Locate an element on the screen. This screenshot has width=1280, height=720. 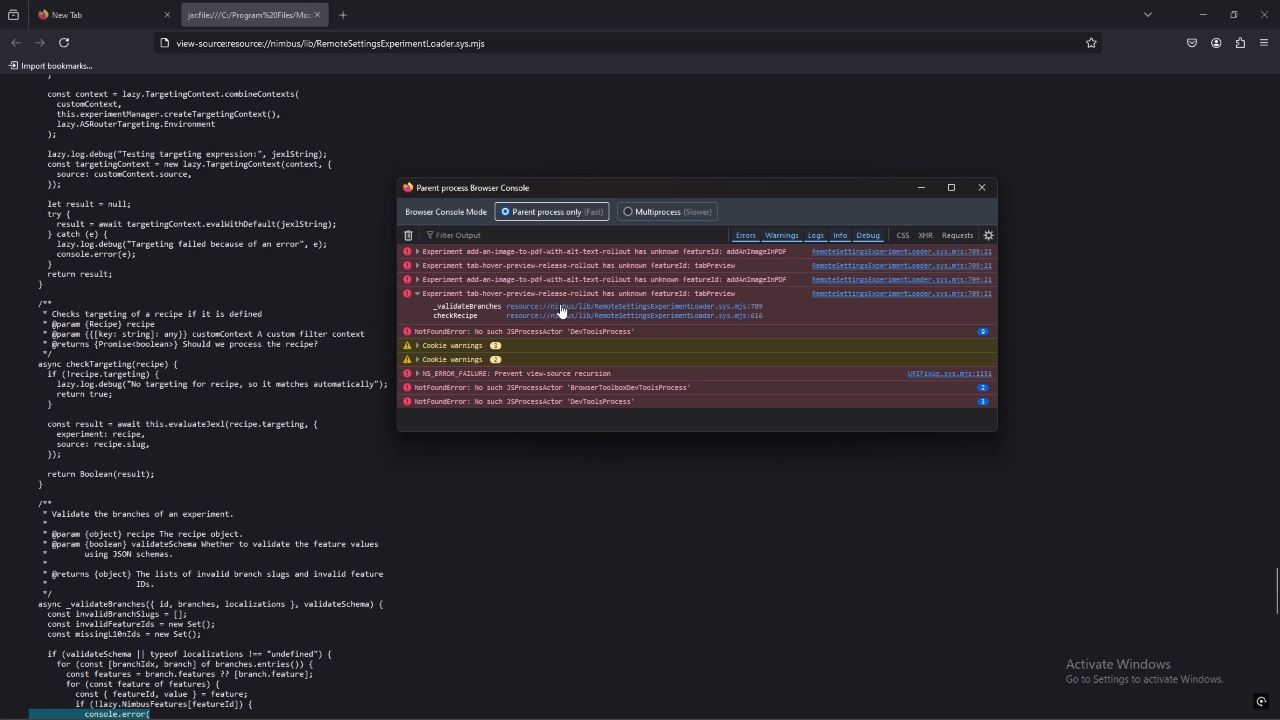
log is located at coordinates (594, 280).